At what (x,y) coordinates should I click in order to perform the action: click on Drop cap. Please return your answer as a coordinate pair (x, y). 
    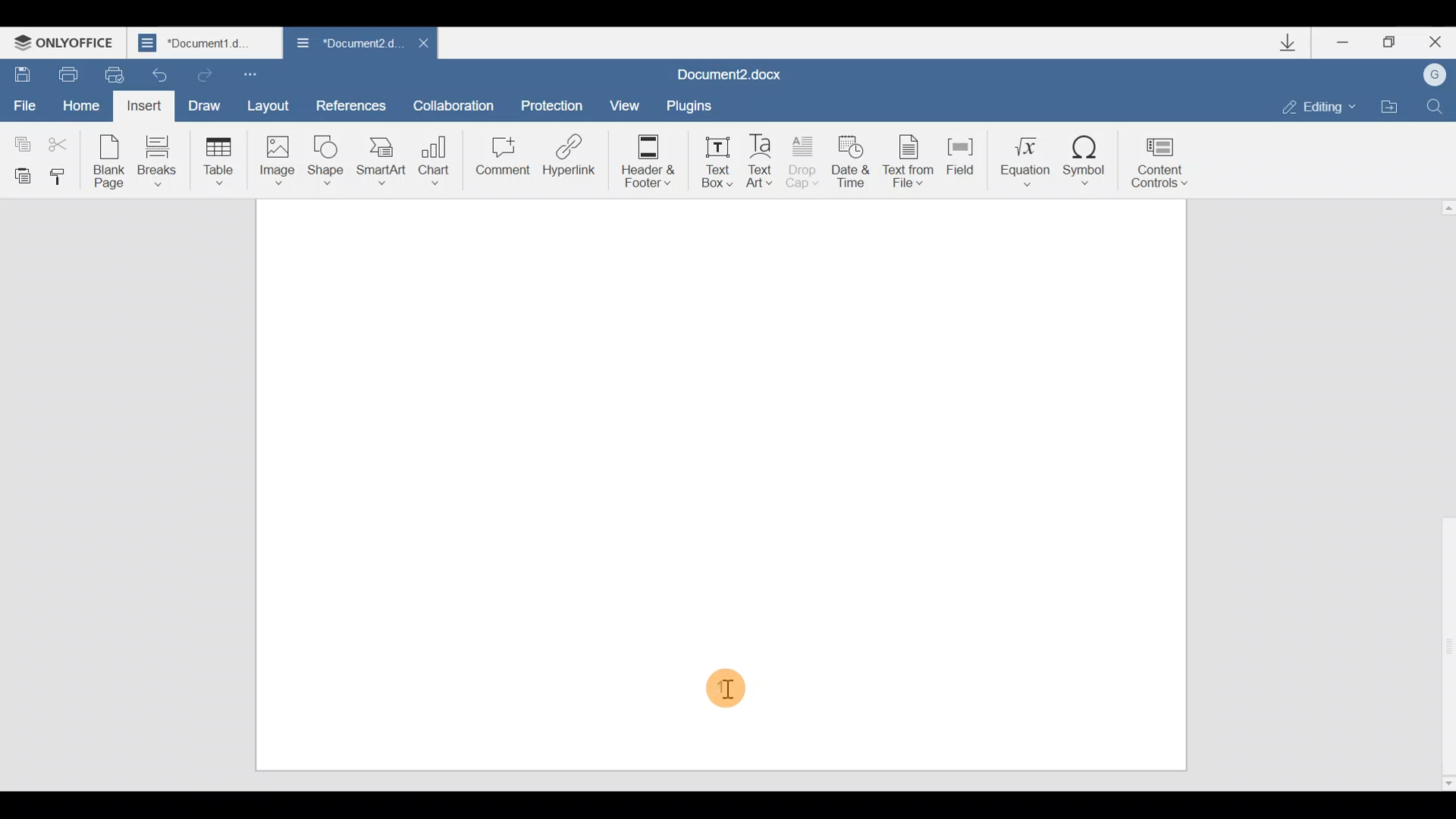
    Looking at the image, I should click on (807, 161).